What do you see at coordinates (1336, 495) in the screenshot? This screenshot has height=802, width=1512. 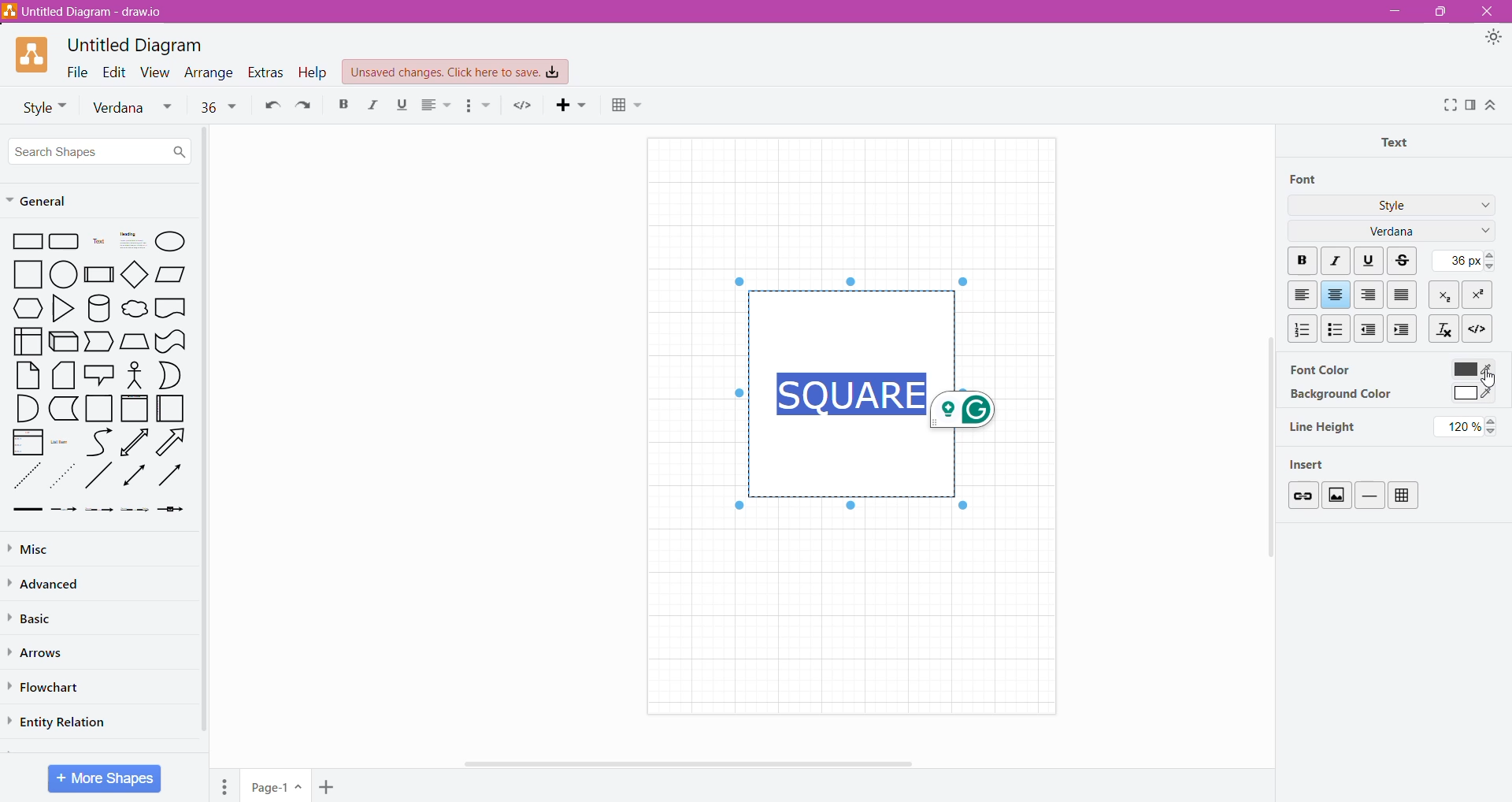 I see `Image` at bounding box center [1336, 495].